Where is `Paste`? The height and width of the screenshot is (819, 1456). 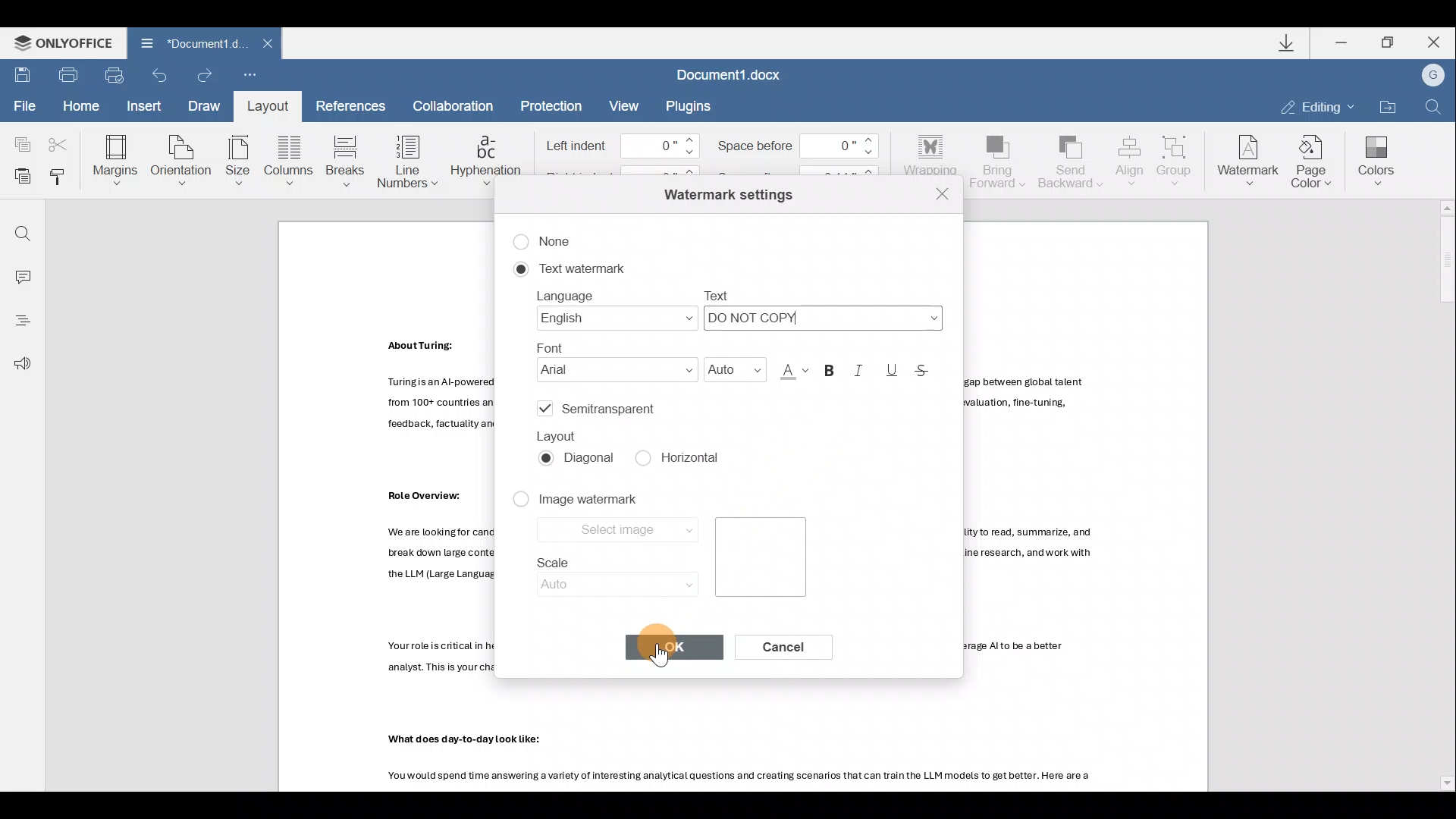 Paste is located at coordinates (20, 177).